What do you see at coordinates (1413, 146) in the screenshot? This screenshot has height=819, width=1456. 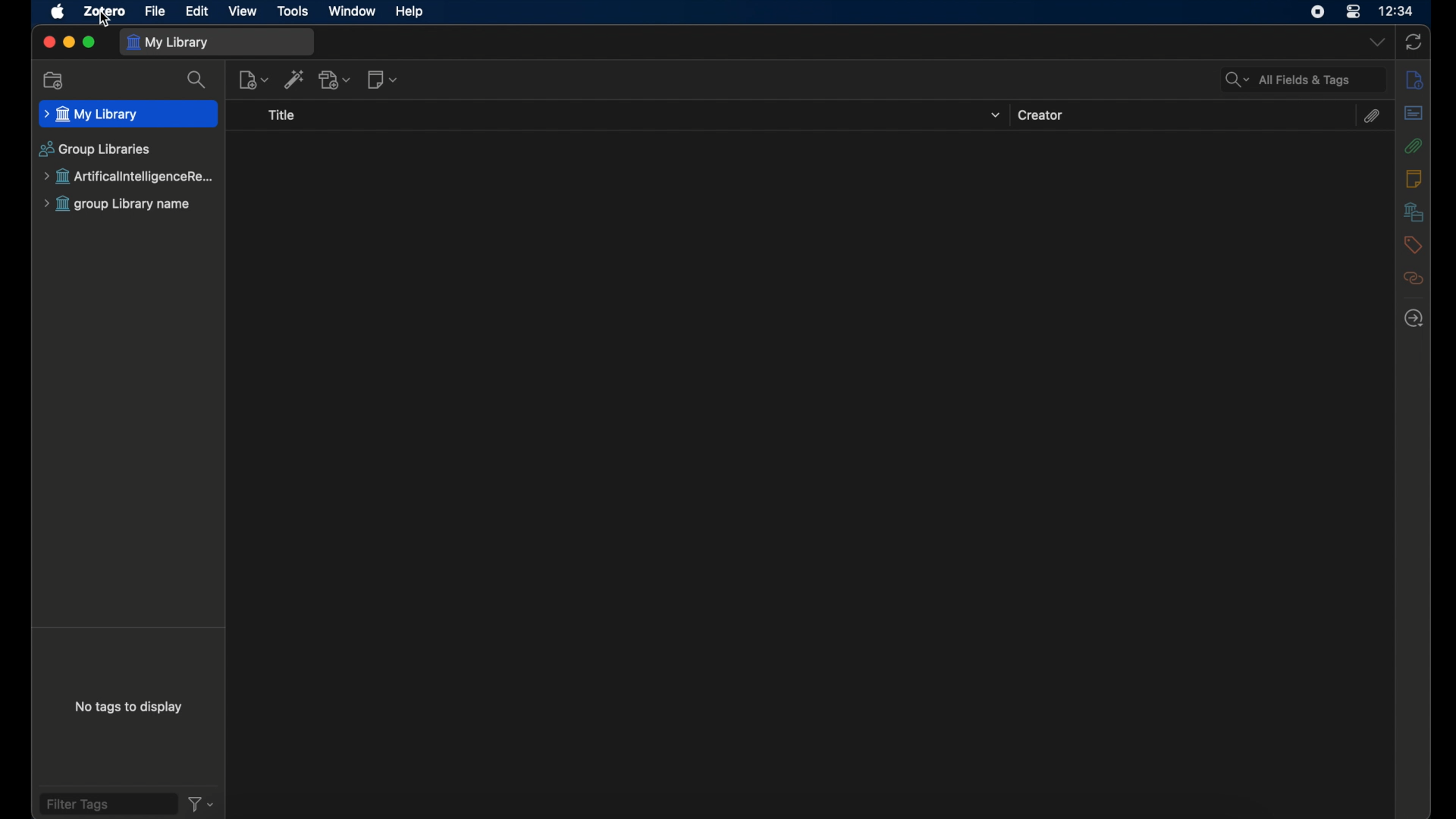 I see `attachments` at bounding box center [1413, 146].